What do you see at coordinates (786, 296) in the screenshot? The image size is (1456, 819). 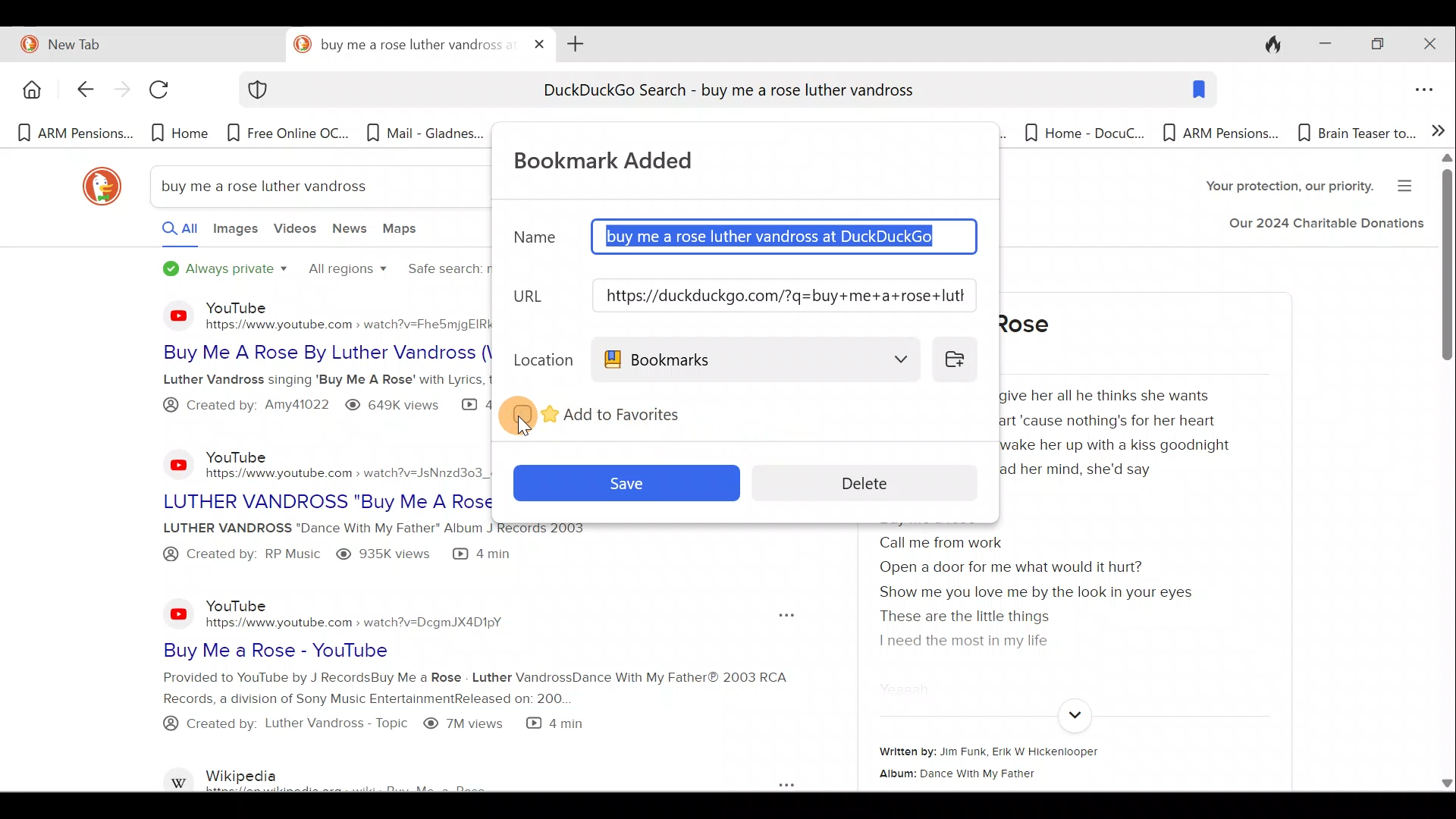 I see `https://duckduckgo.com/?q=buy+me+a+rose+lutt` at bounding box center [786, 296].